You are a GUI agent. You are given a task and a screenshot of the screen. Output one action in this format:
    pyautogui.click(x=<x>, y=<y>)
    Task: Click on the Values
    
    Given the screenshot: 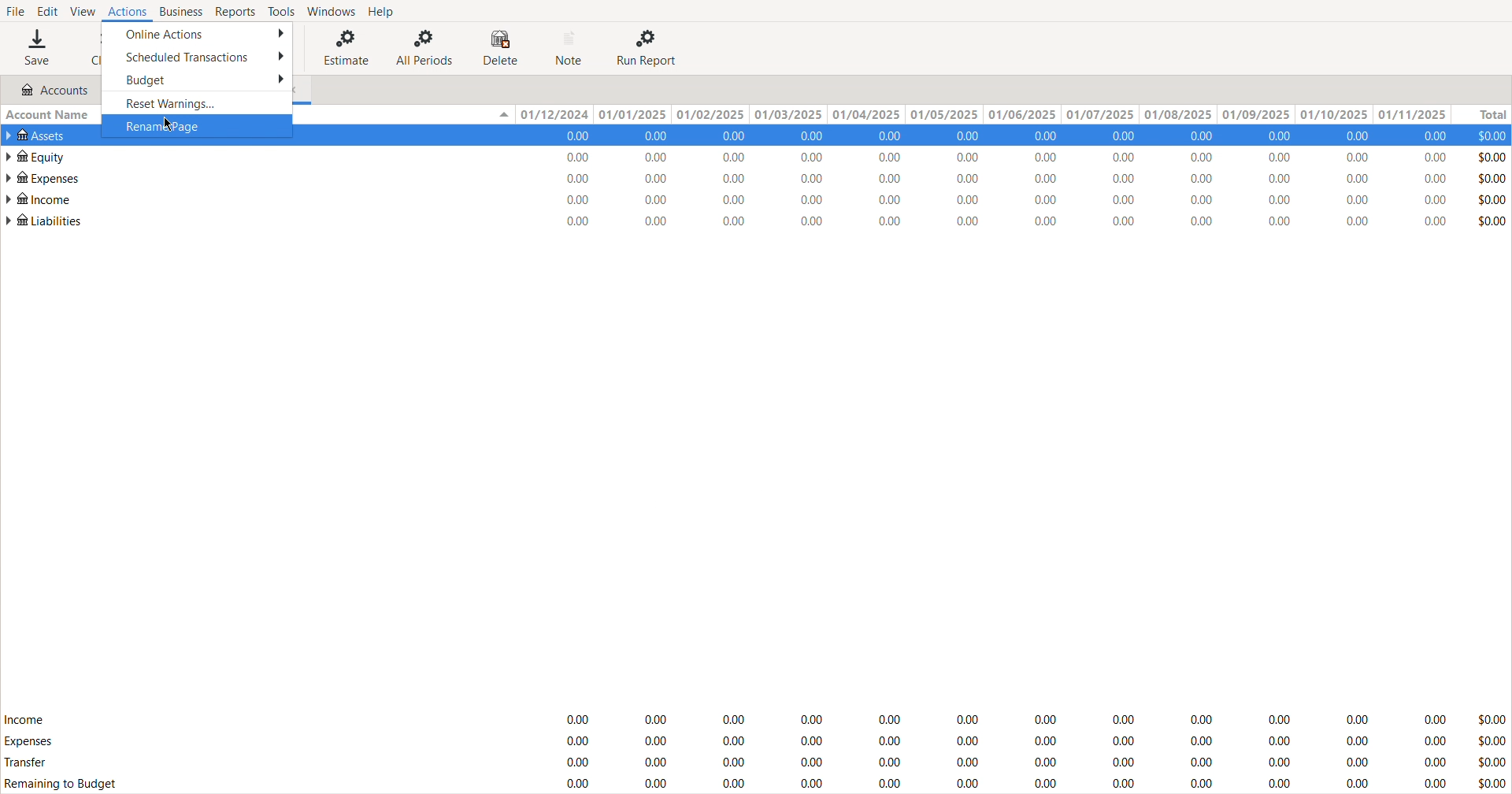 What is the action you would take?
    pyautogui.click(x=1031, y=179)
    